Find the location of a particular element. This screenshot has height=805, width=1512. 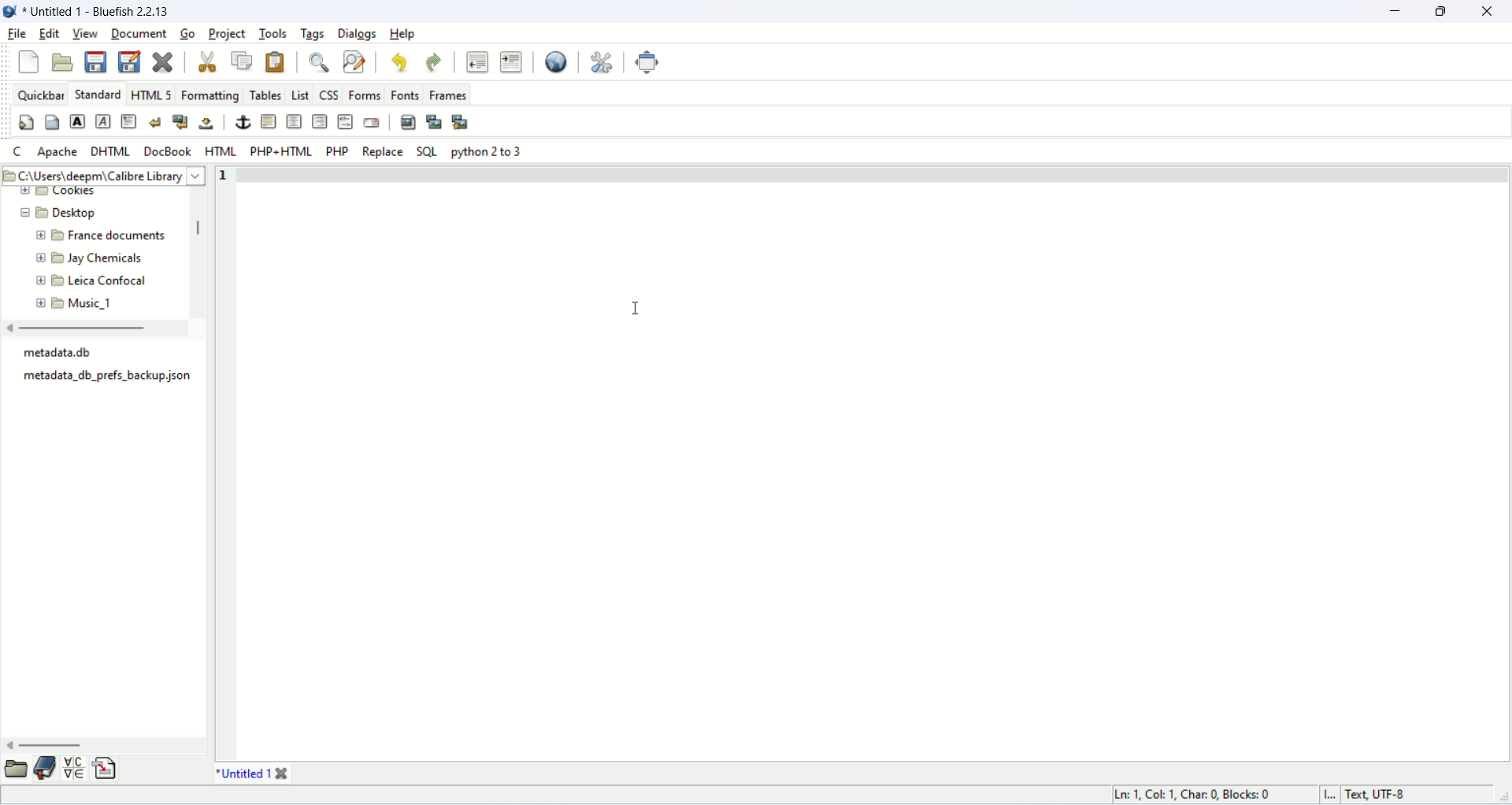

horizontal rule is located at coordinates (267, 121).